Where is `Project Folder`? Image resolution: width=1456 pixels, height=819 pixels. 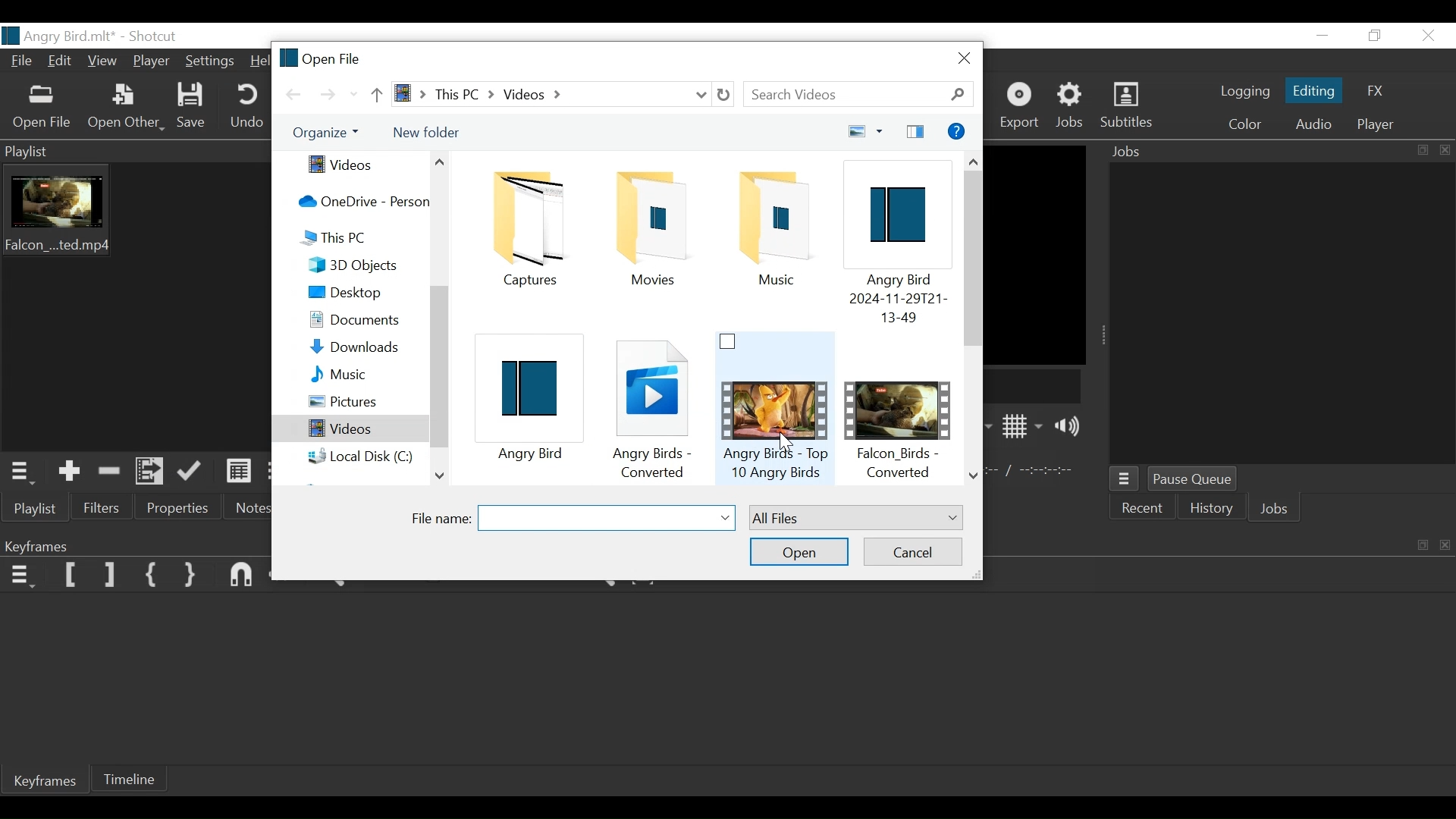 Project Folder is located at coordinates (775, 228).